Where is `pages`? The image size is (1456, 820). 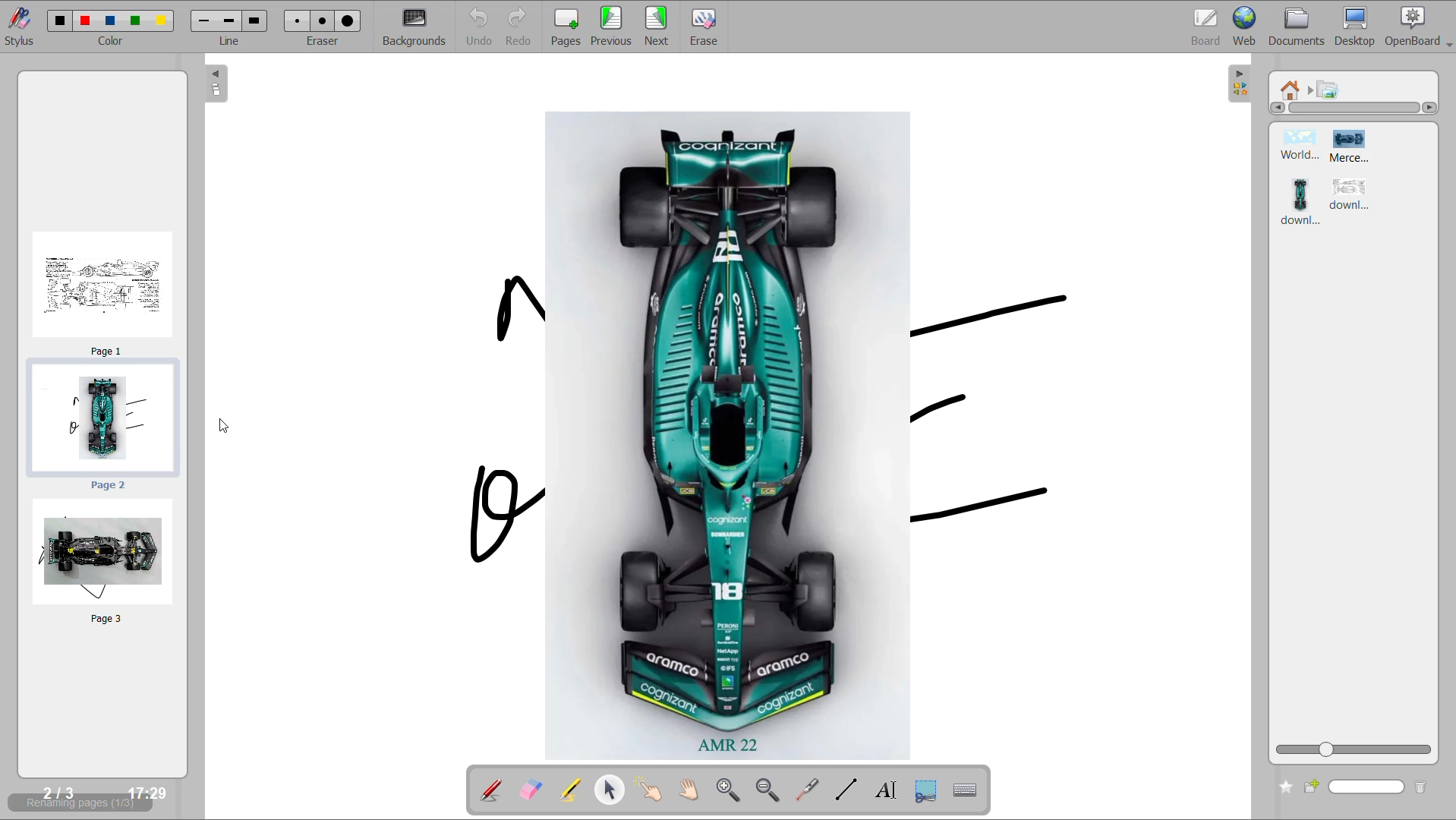 pages is located at coordinates (566, 27).